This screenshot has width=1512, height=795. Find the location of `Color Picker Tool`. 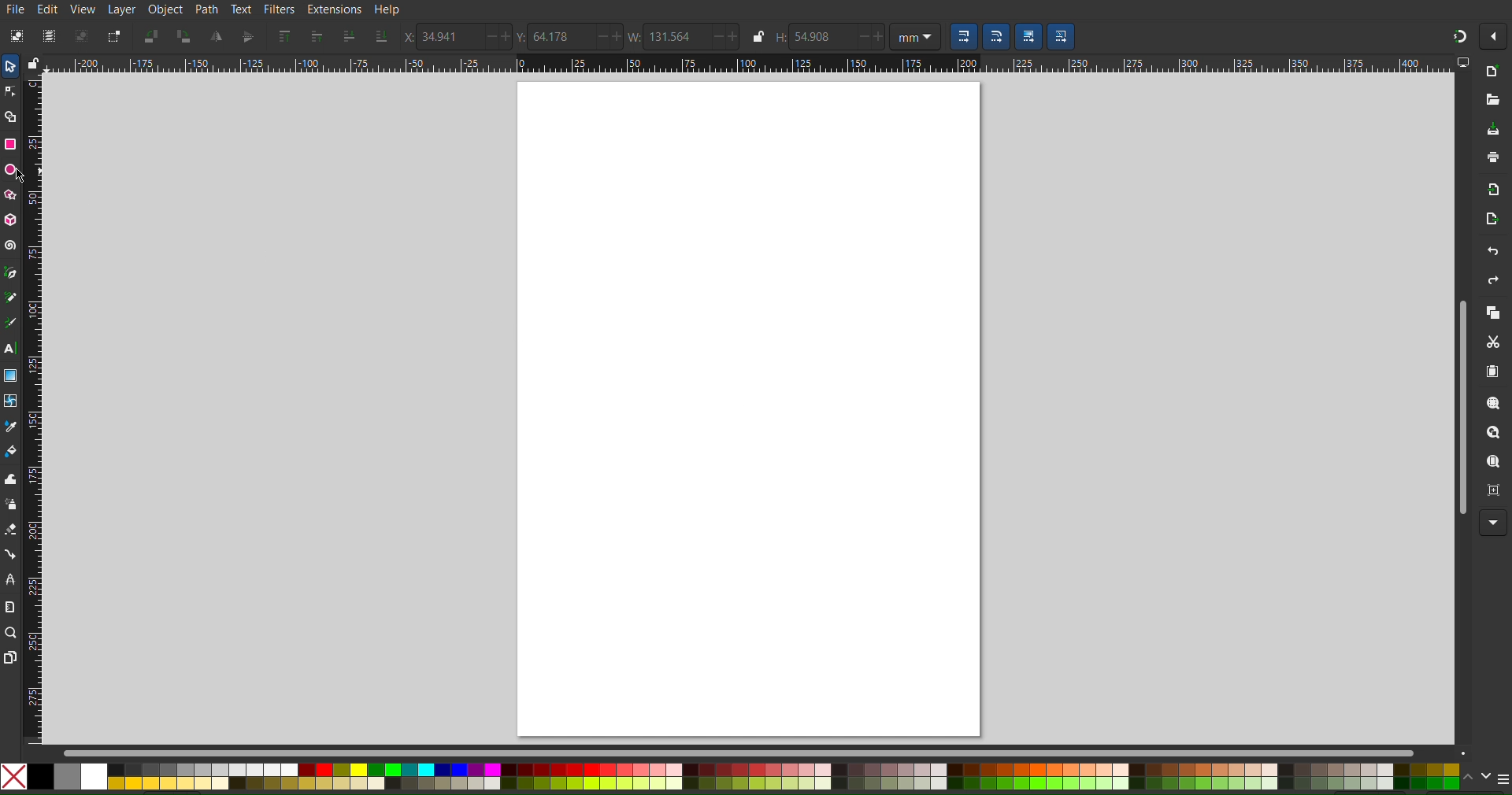

Color Picker Tool is located at coordinates (11, 427).